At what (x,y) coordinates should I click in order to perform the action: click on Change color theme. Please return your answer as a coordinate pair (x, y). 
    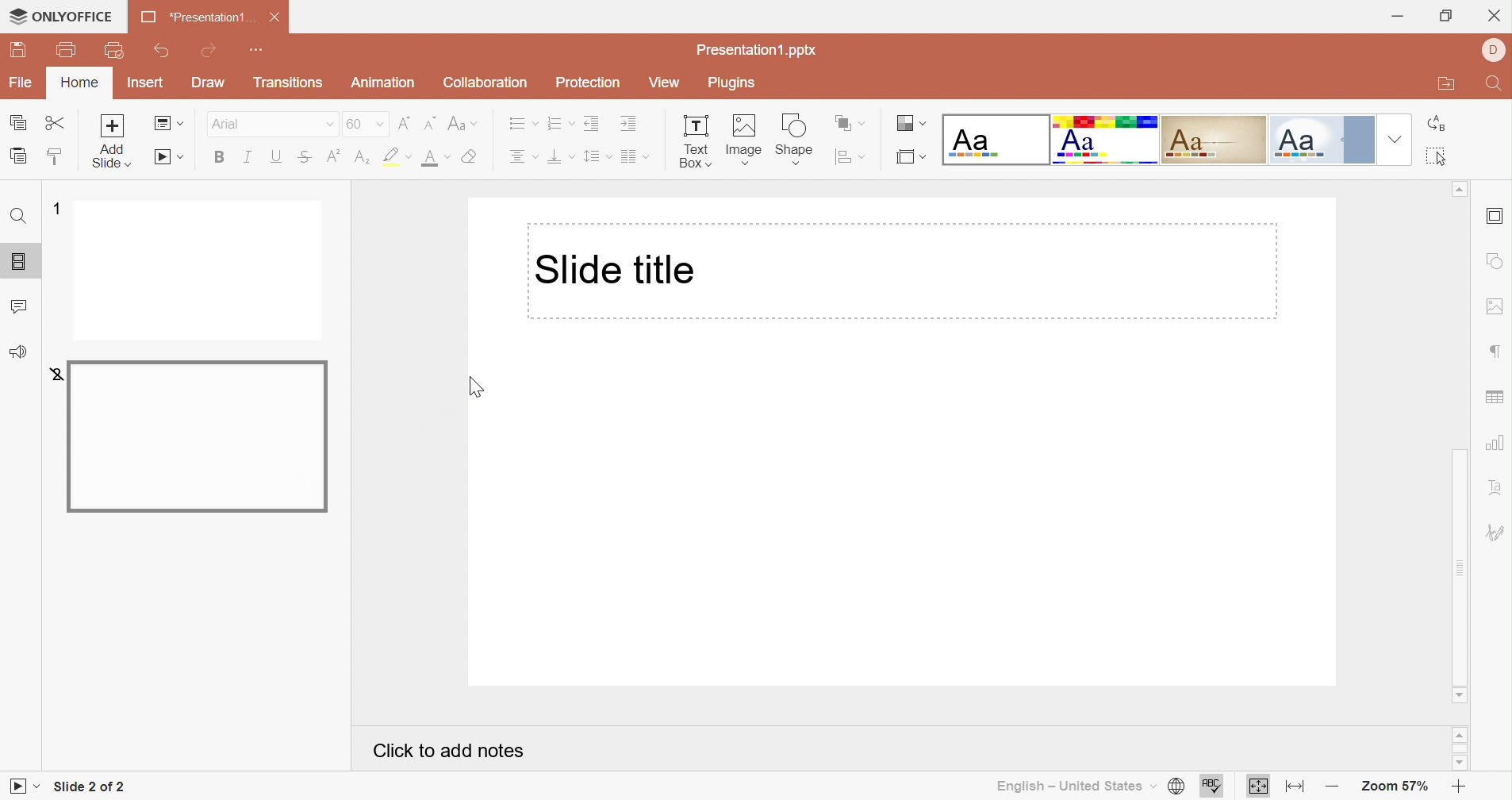
    Looking at the image, I should click on (908, 124).